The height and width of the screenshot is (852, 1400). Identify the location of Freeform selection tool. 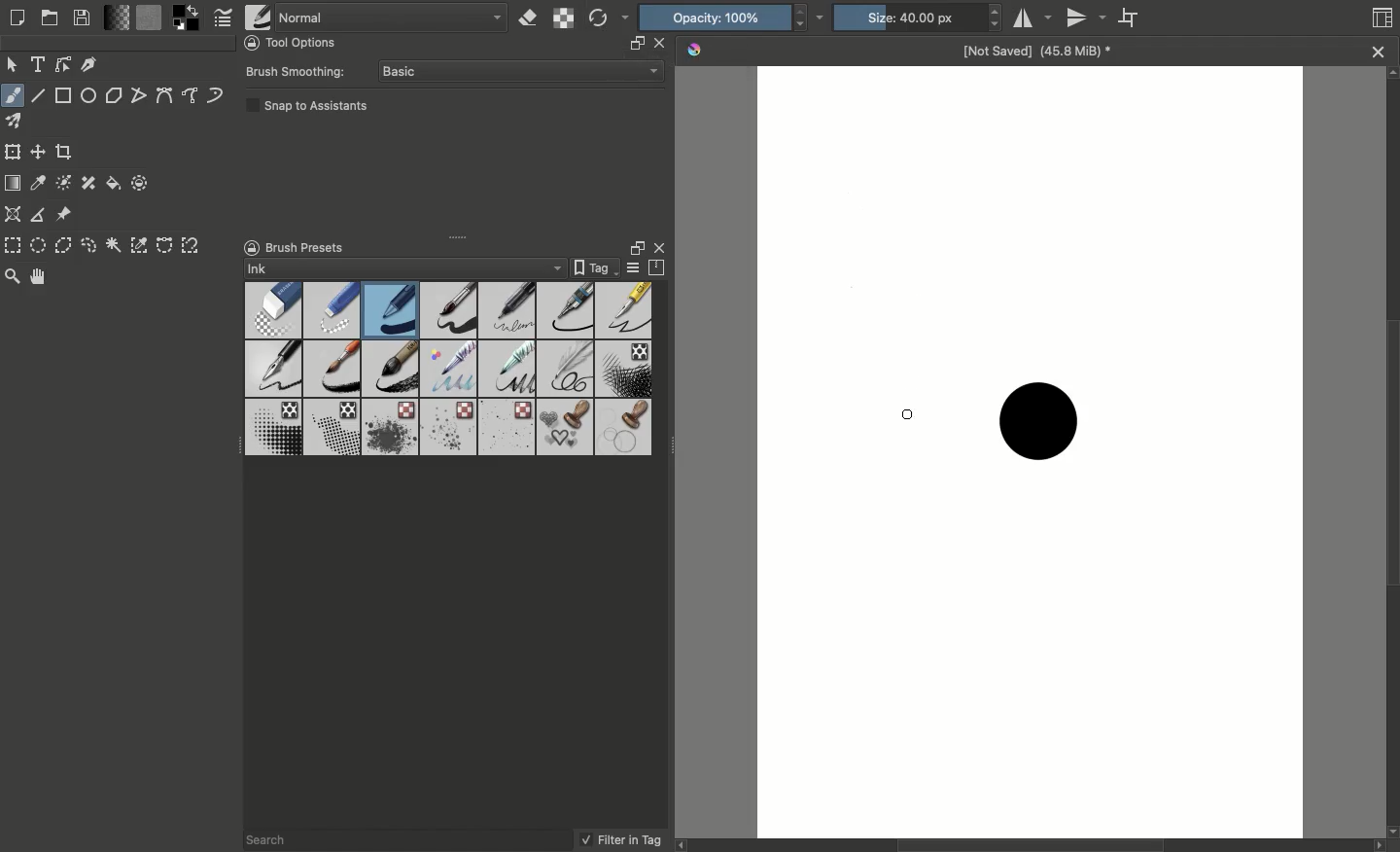
(89, 246).